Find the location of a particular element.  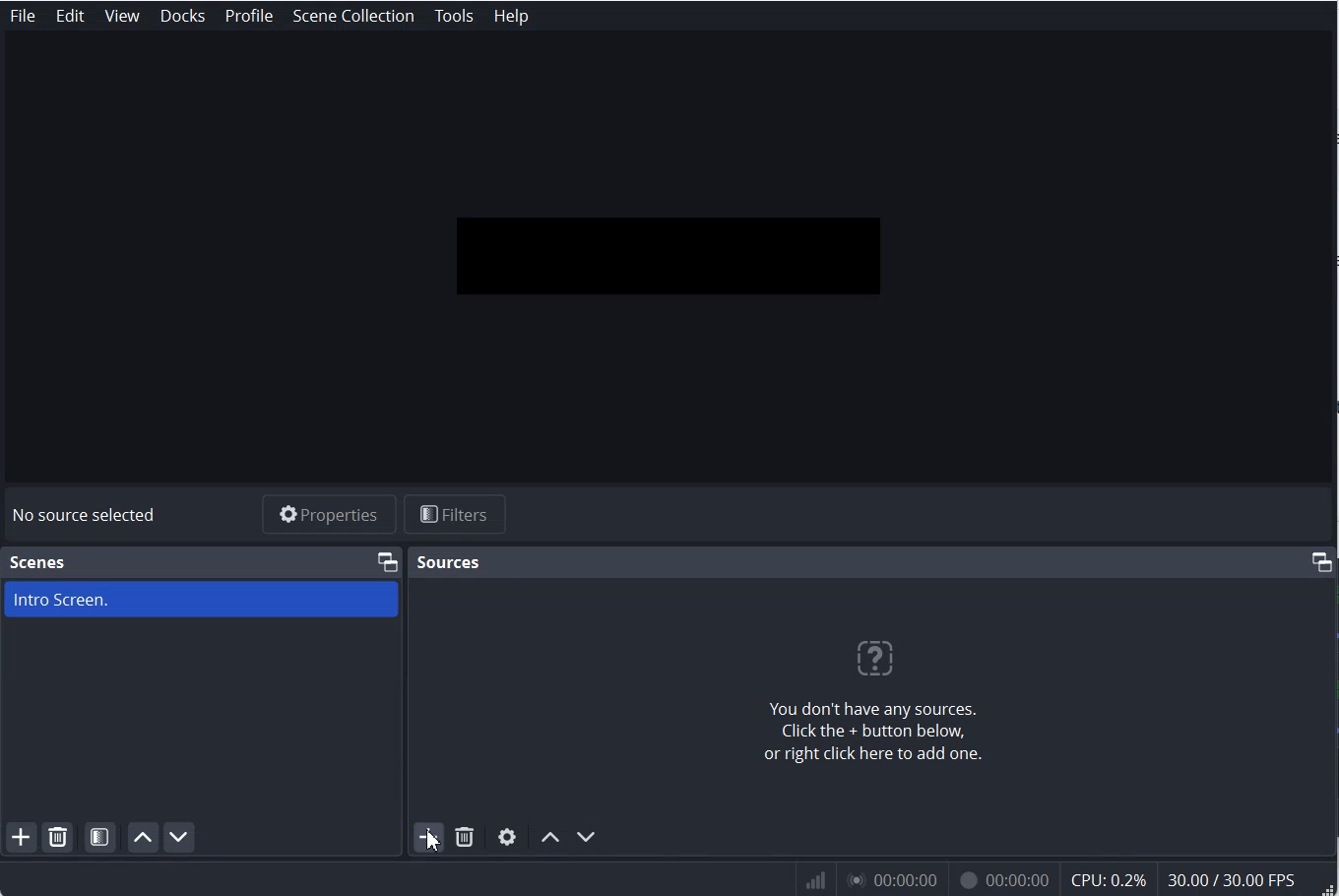

CPU is located at coordinates (1110, 880).